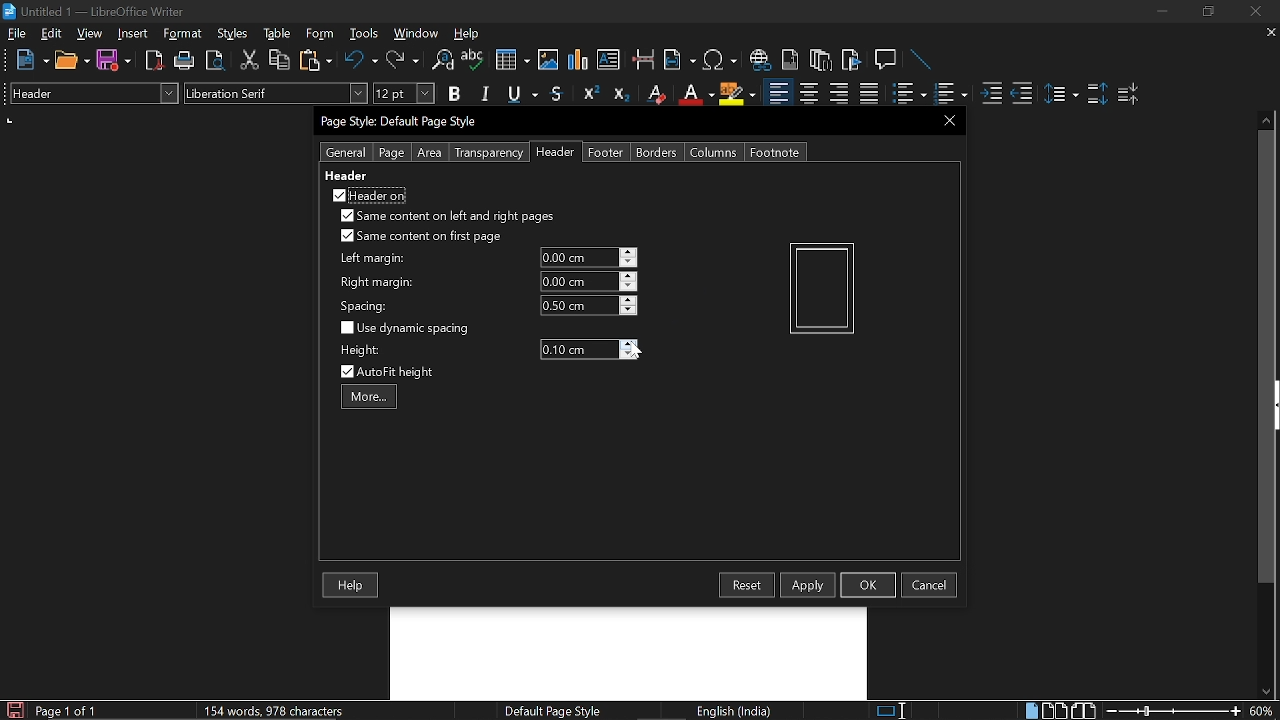  What do you see at coordinates (888, 60) in the screenshot?
I see `Insert comment` at bounding box center [888, 60].